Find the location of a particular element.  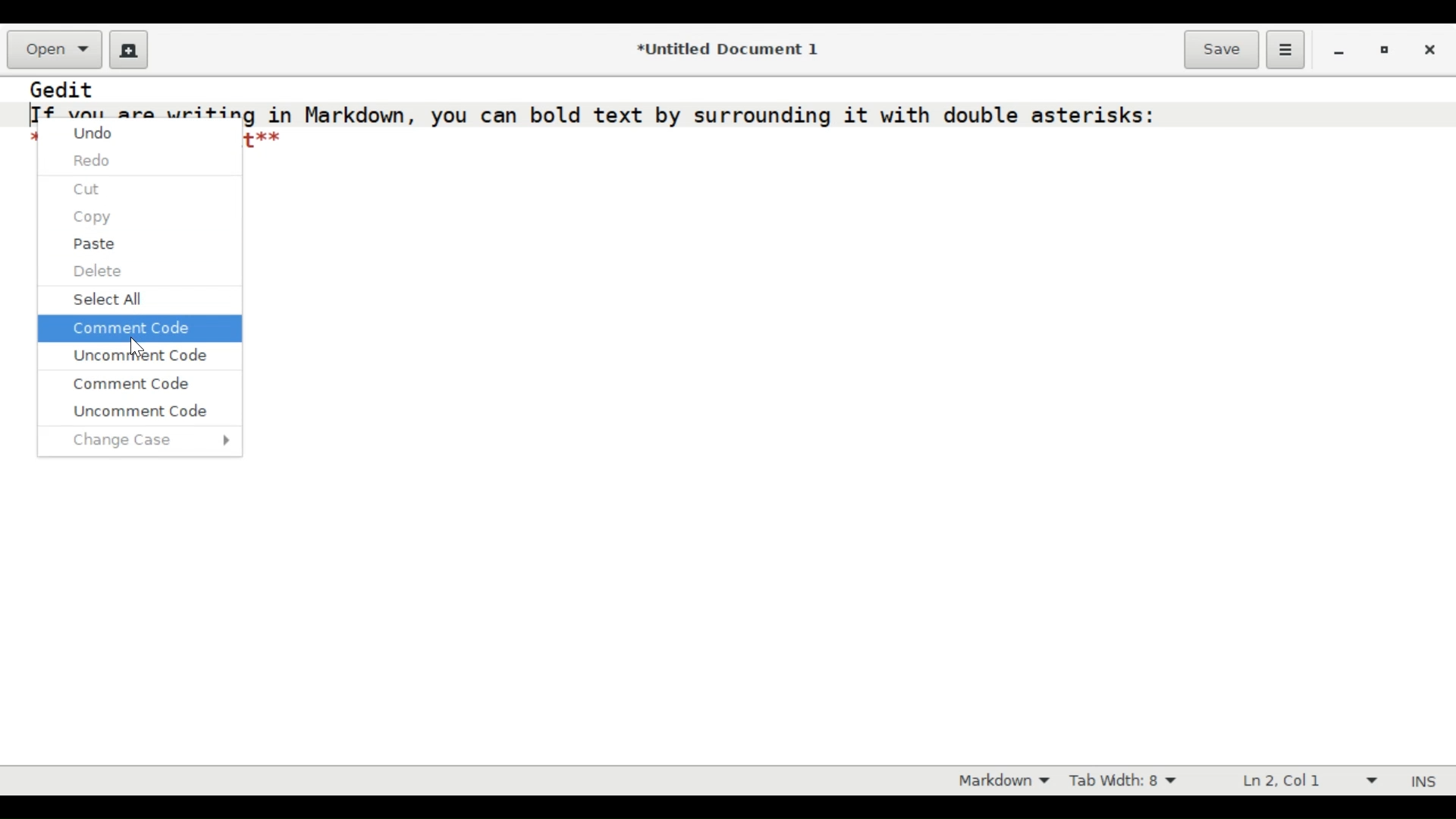

Undo is located at coordinates (96, 136).